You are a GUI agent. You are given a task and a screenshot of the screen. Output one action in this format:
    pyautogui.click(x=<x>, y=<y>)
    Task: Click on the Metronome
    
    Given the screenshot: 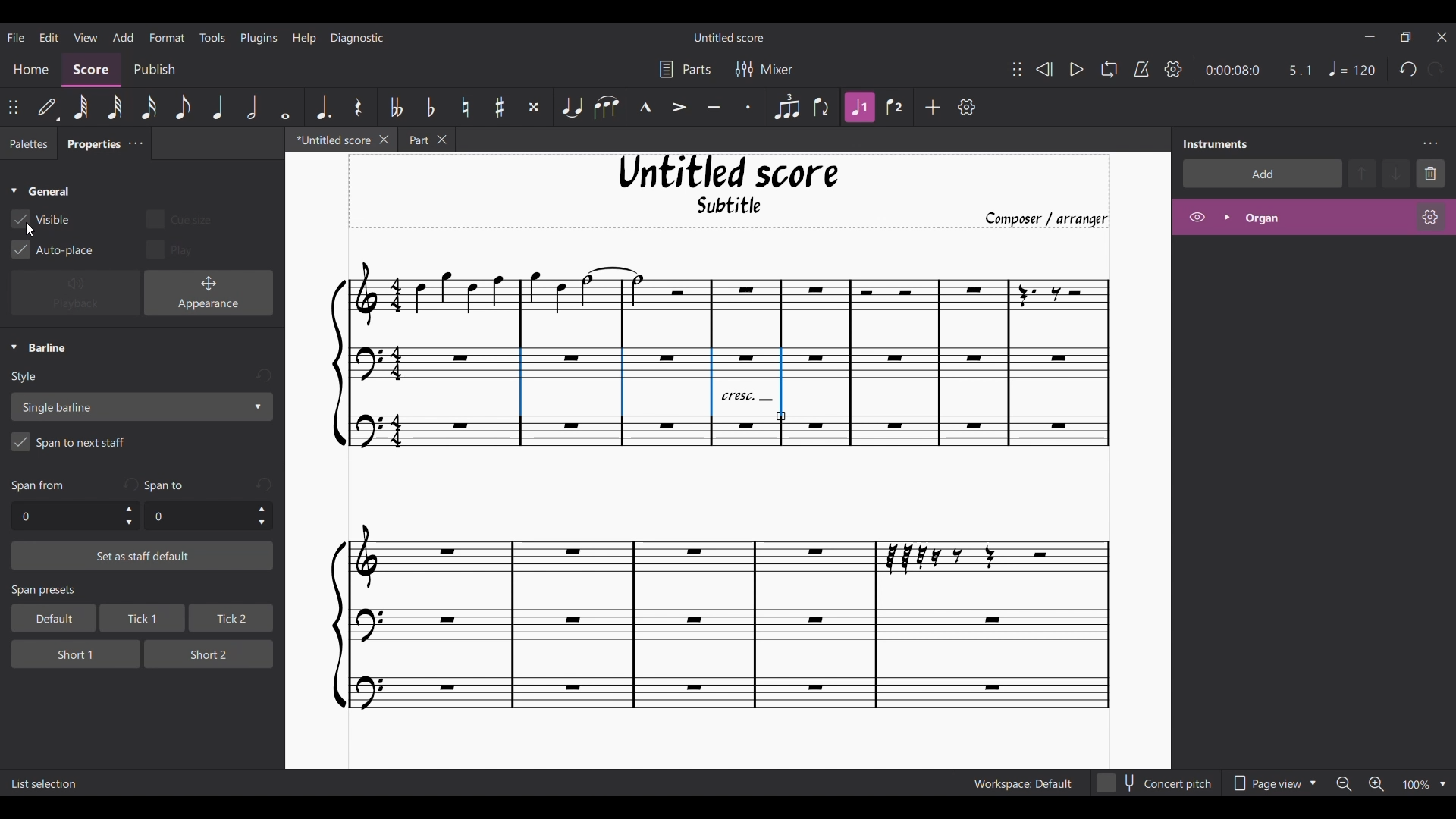 What is the action you would take?
    pyautogui.click(x=1141, y=69)
    